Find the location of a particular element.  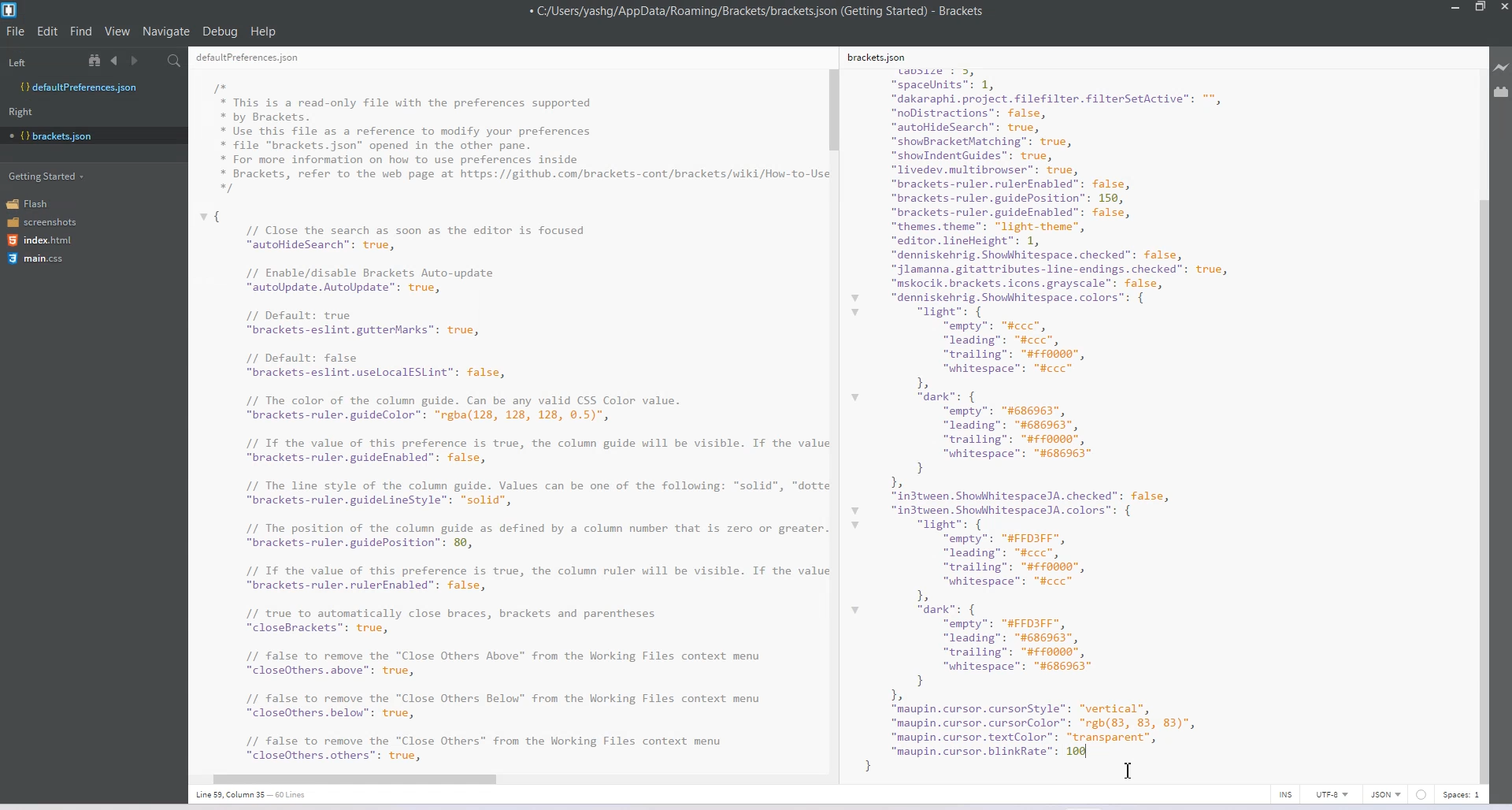

Minimize is located at coordinates (1457, 8).